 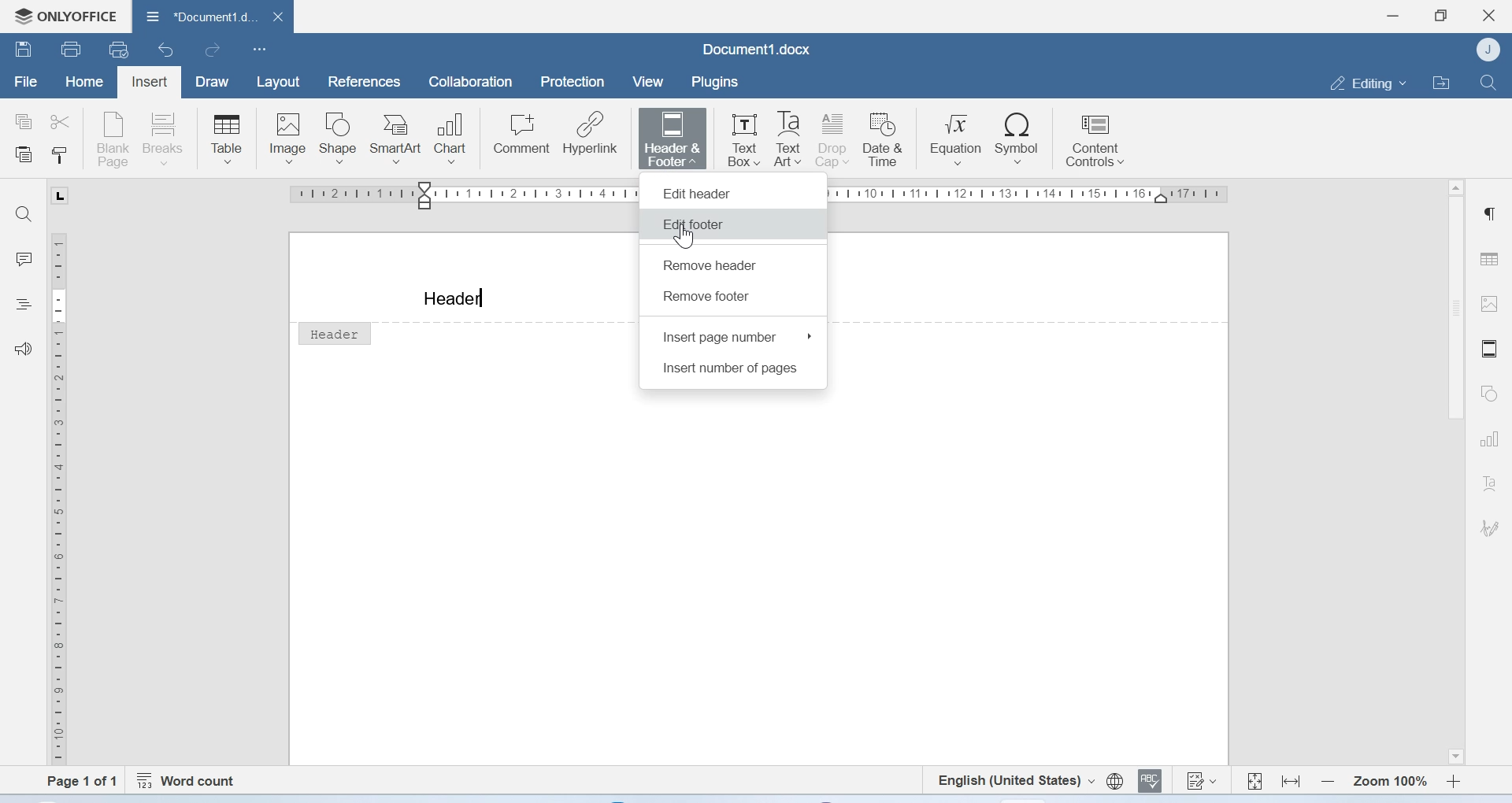 What do you see at coordinates (24, 156) in the screenshot?
I see `Paste` at bounding box center [24, 156].